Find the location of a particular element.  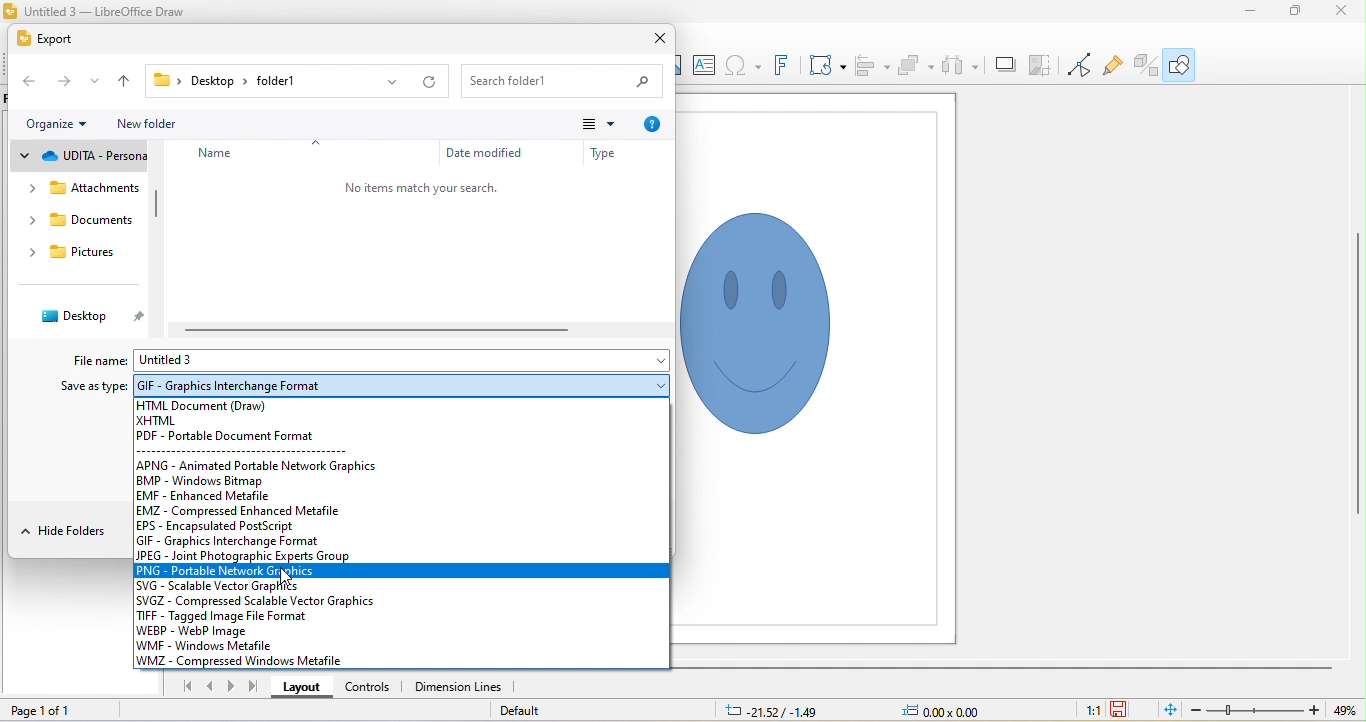

controls is located at coordinates (370, 687).